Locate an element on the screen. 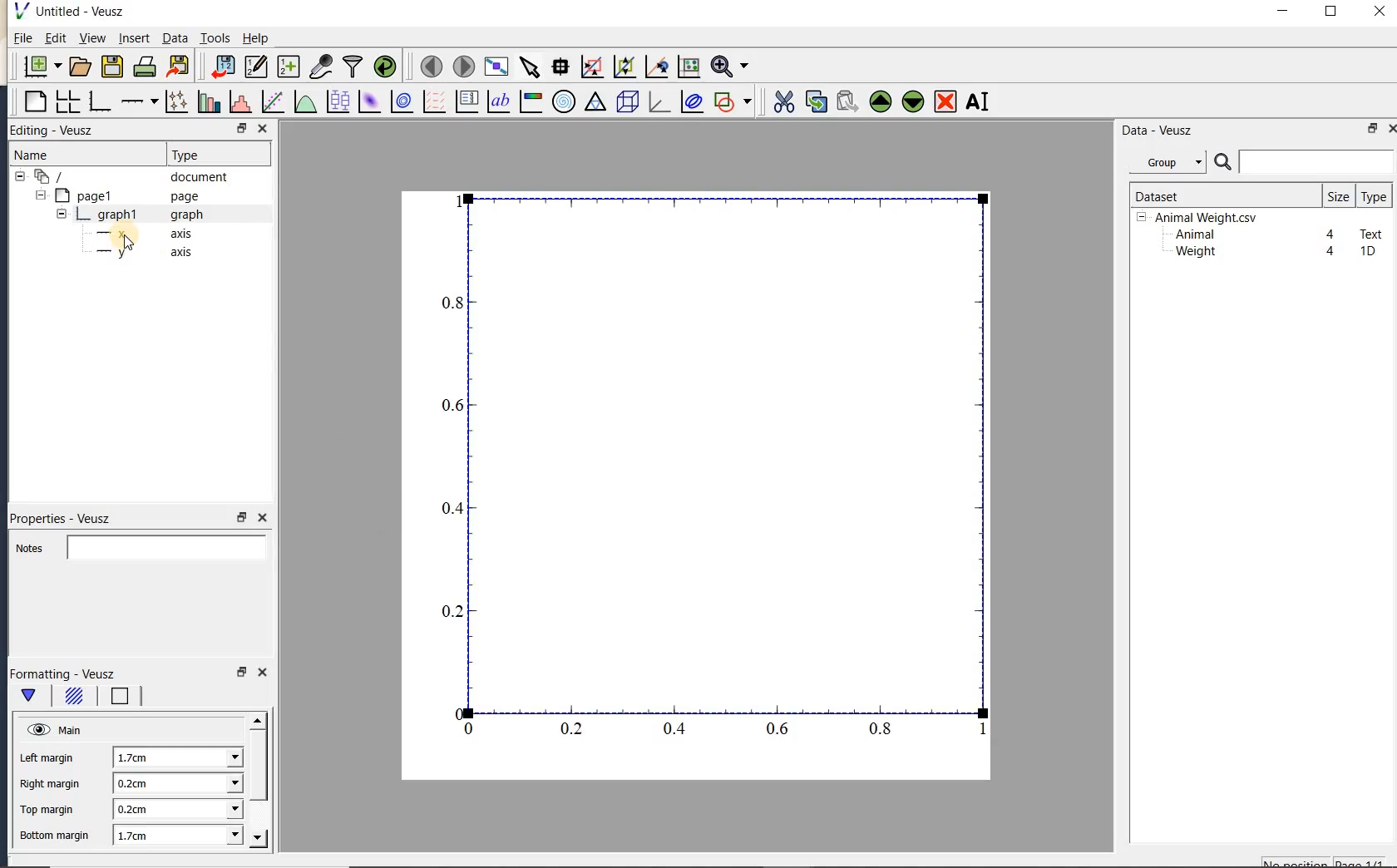 Image resolution: width=1397 pixels, height=868 pixels. background is located at coordinates (75, 698).